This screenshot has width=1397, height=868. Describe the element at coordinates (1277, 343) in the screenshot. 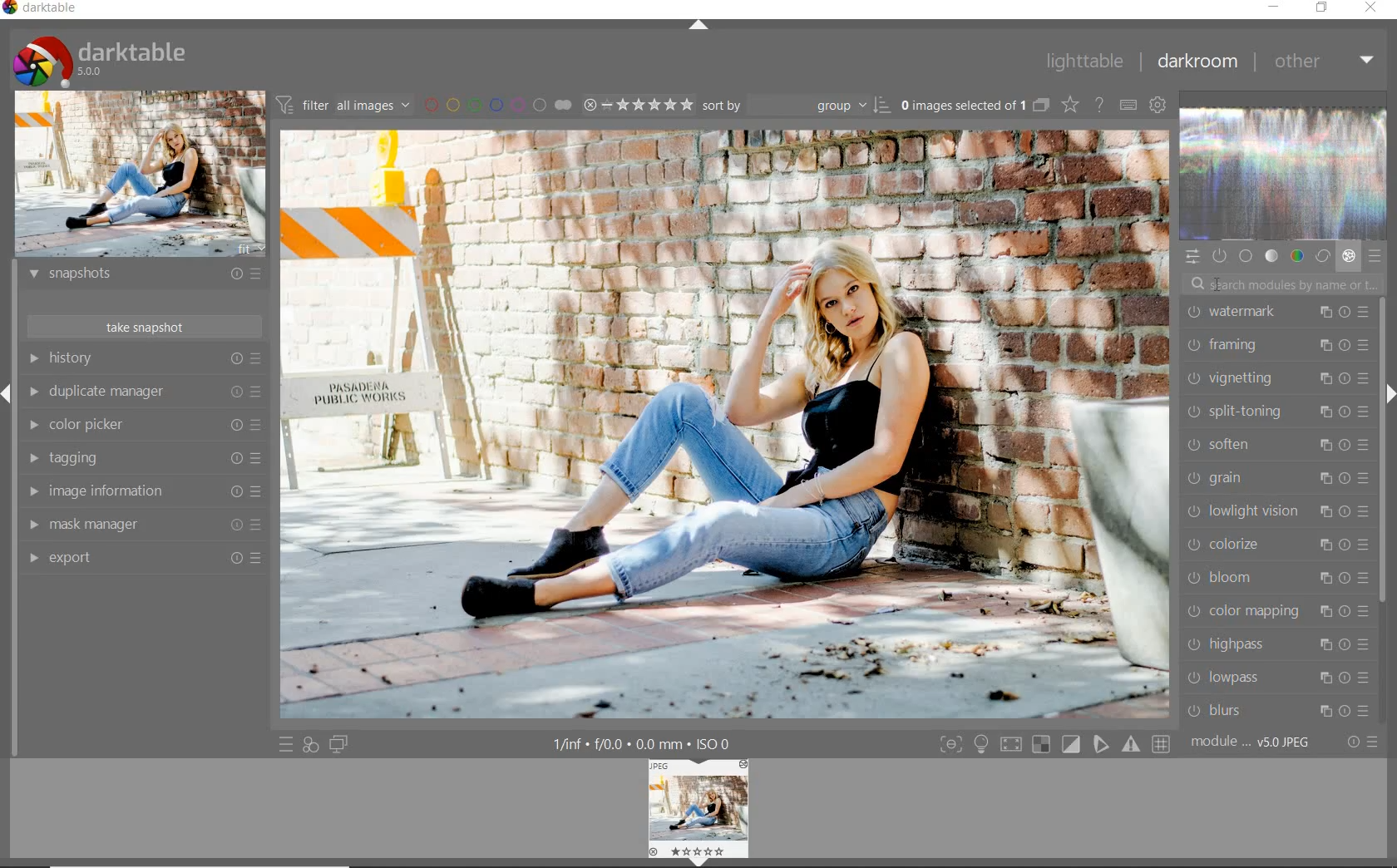

I see `framing` at that location.